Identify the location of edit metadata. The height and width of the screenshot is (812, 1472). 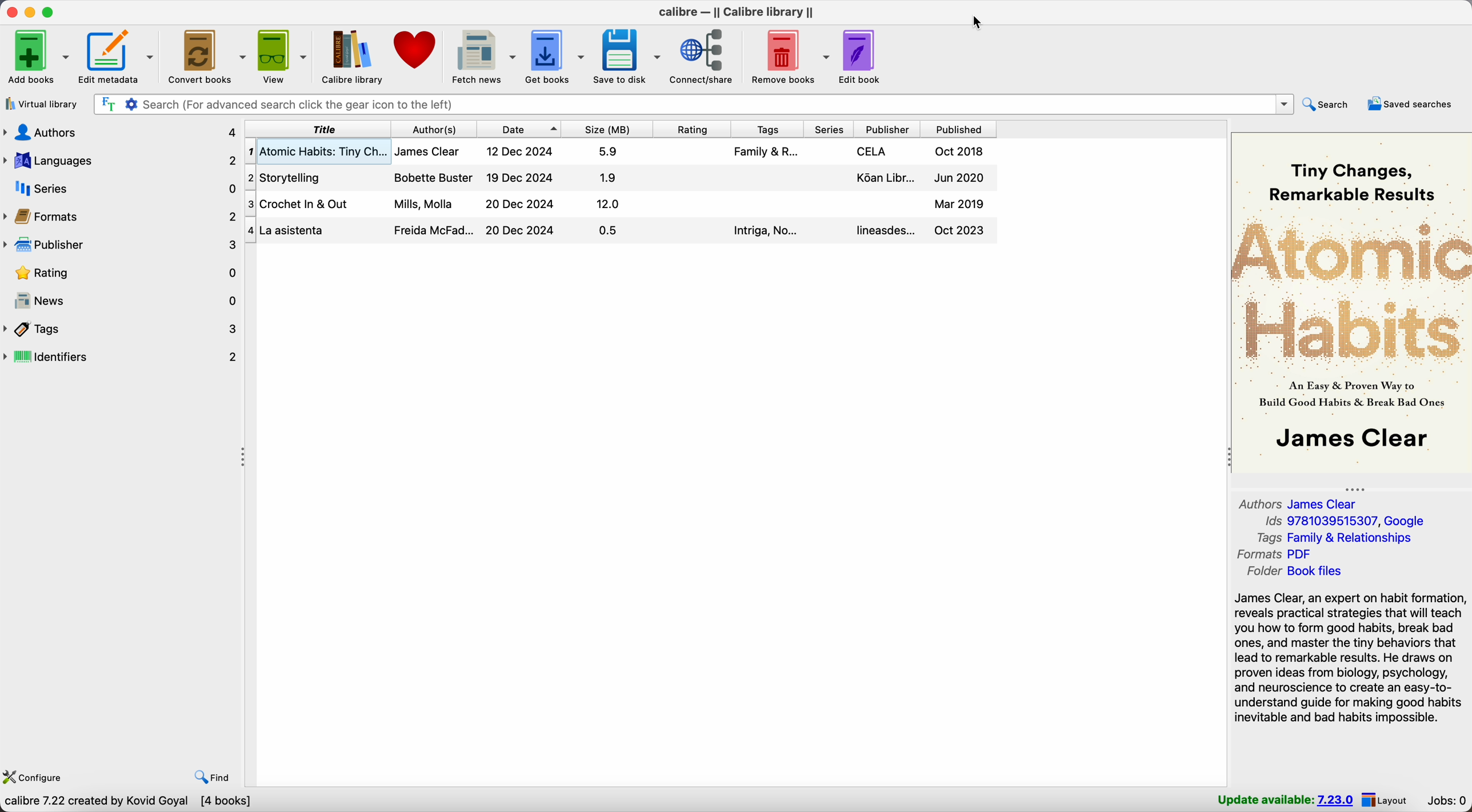
(118, 57).